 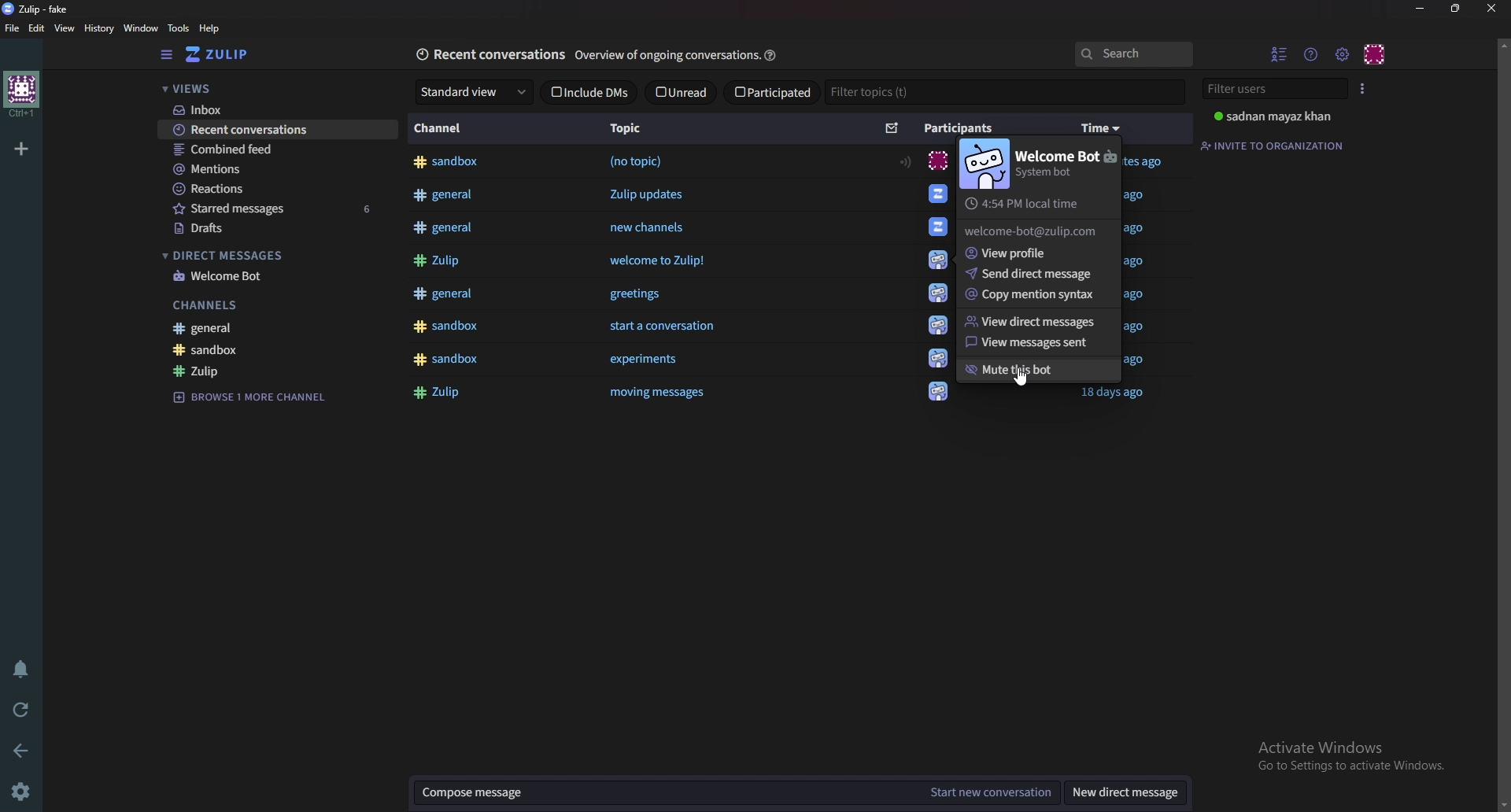 What do you see at coordinates (939, 295) in the screenshot?
I see `icon` at bounding box center [939, 295].